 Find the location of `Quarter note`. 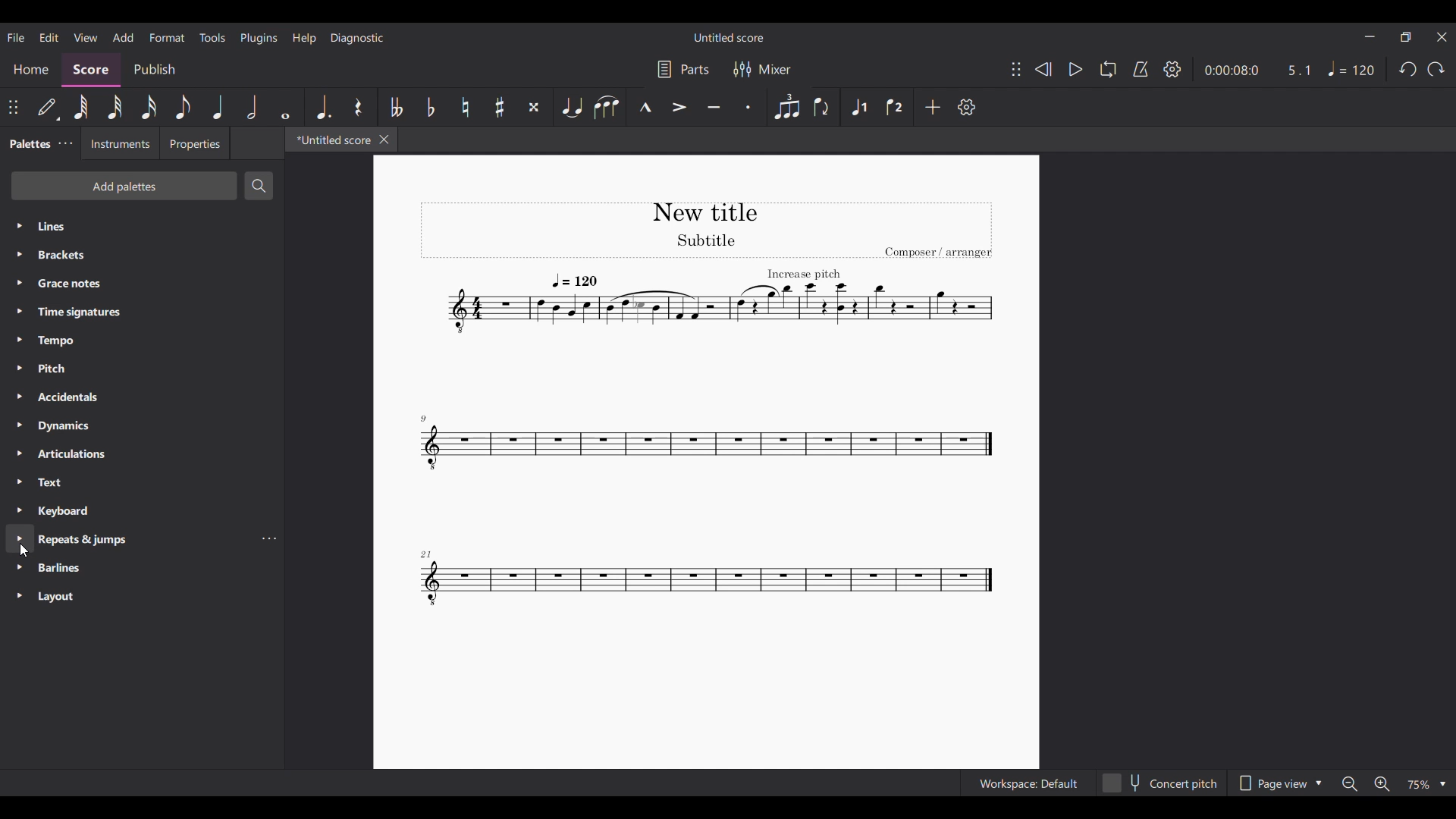

Quarter note is located at coordinates (218, 107).